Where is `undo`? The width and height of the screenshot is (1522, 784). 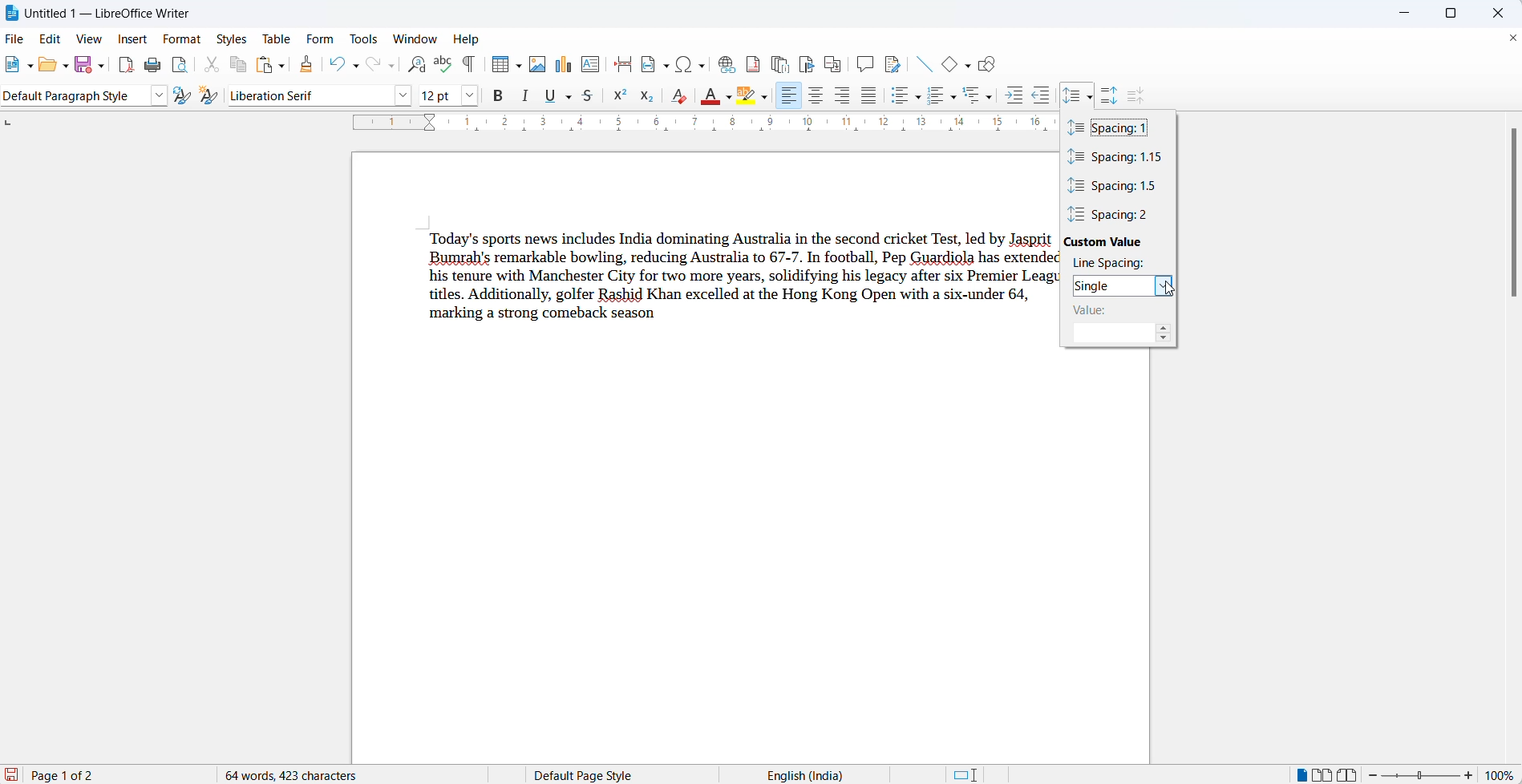 undo is located at coordinates (336, 66).